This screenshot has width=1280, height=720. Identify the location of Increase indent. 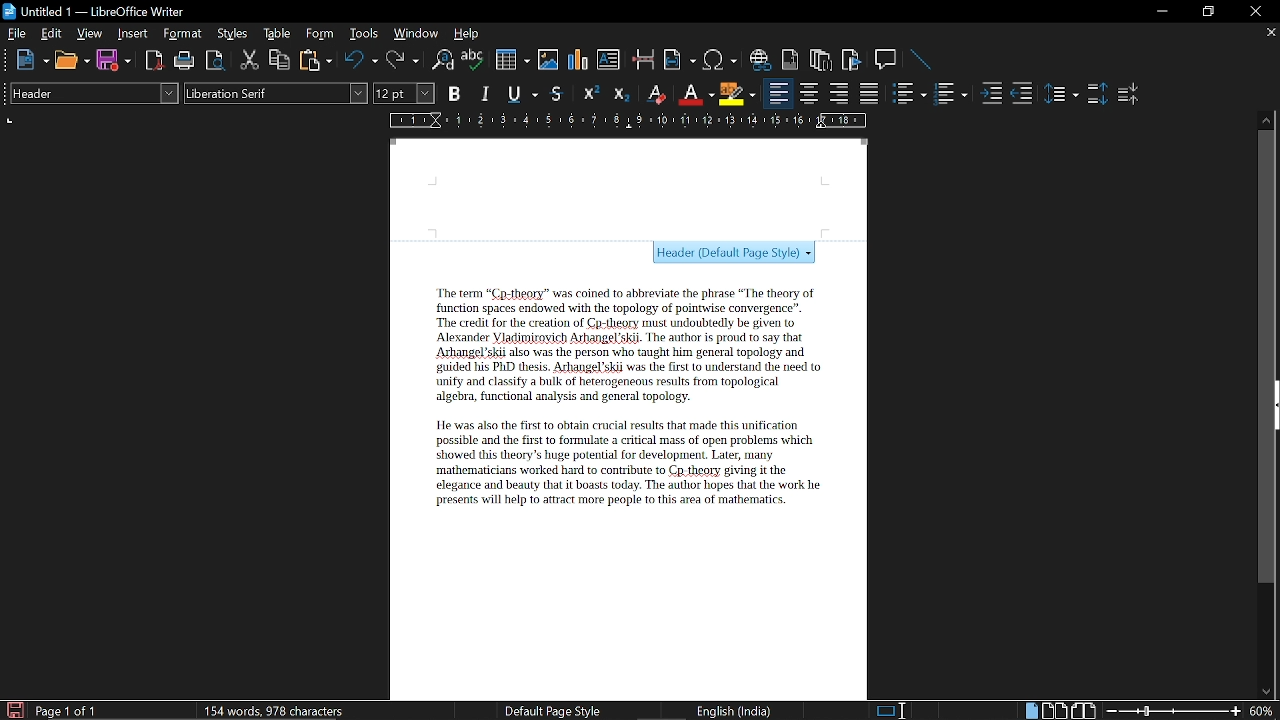
(990, 93).